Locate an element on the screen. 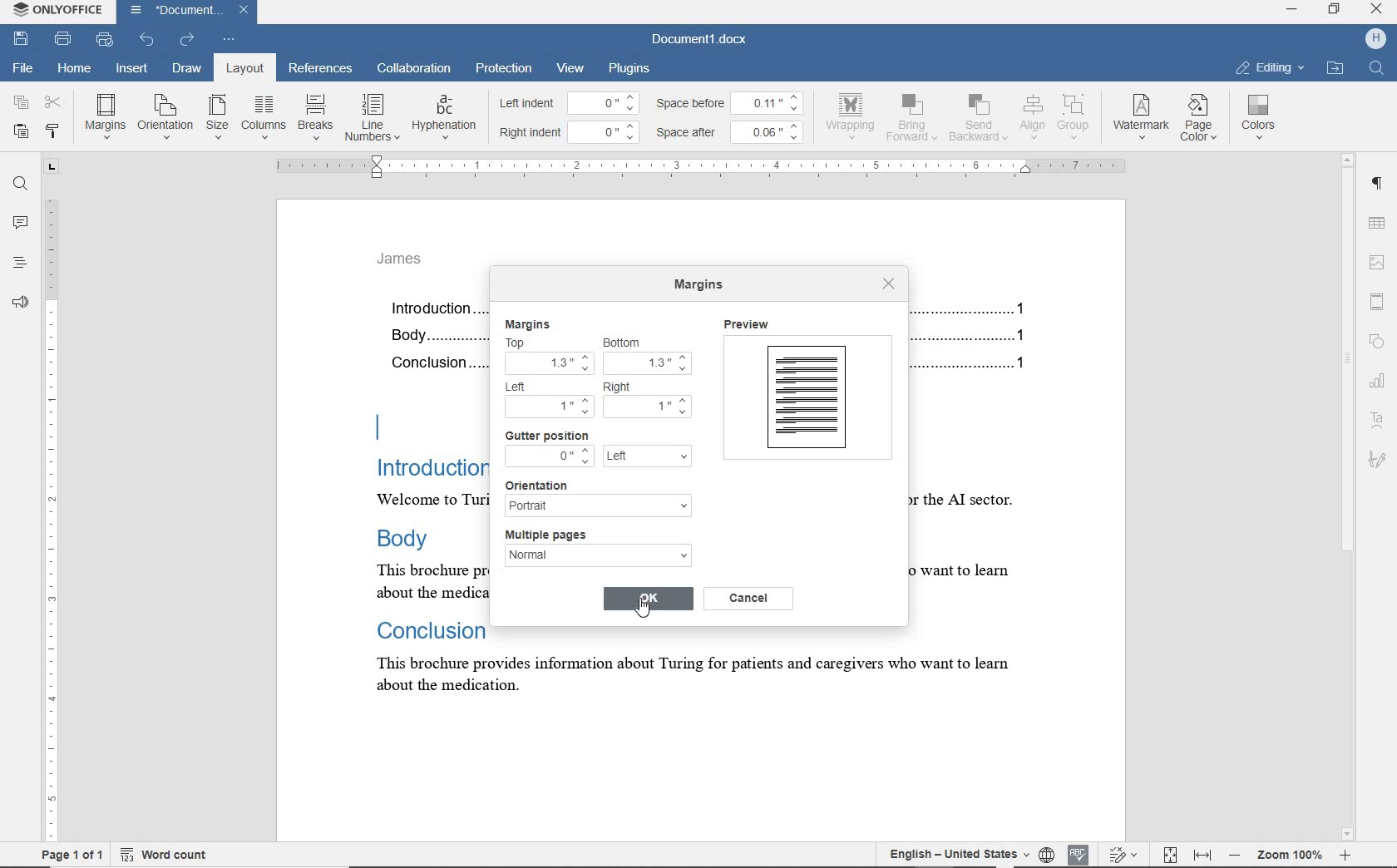  zoom out or zoom in is located at coordinates (1290, 854).